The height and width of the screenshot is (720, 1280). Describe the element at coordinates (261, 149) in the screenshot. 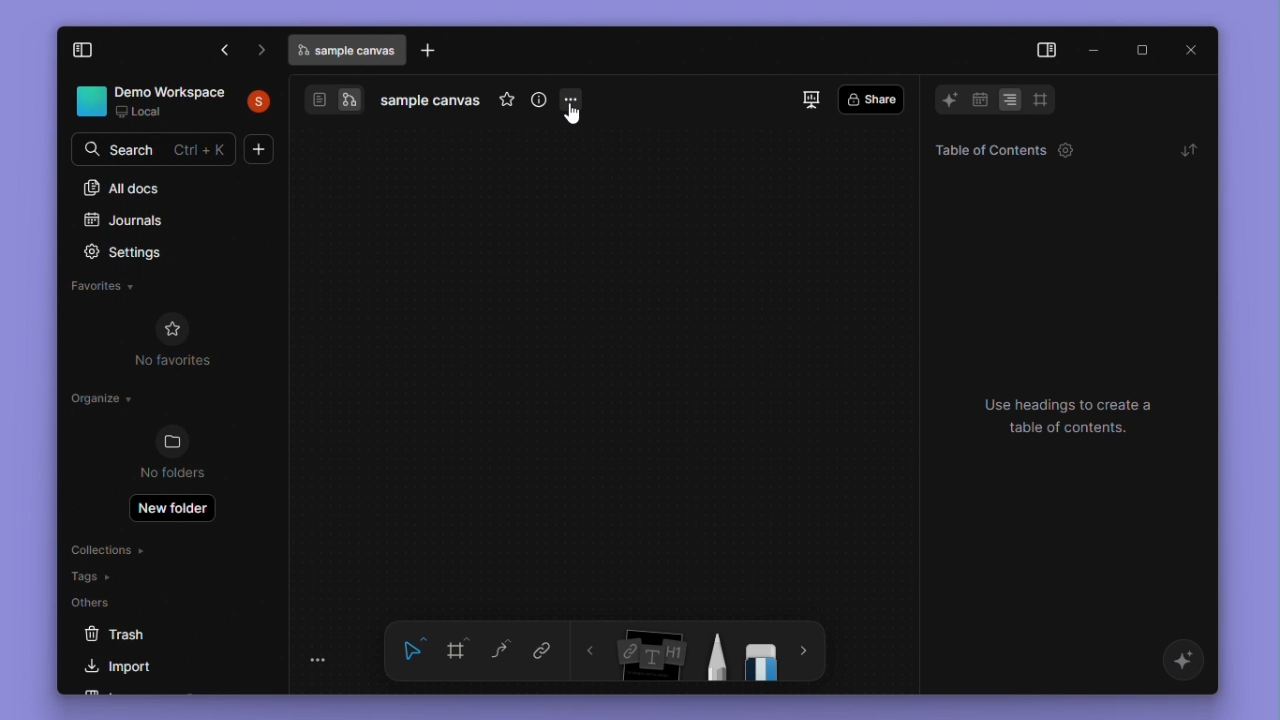

I see `add` at that location.